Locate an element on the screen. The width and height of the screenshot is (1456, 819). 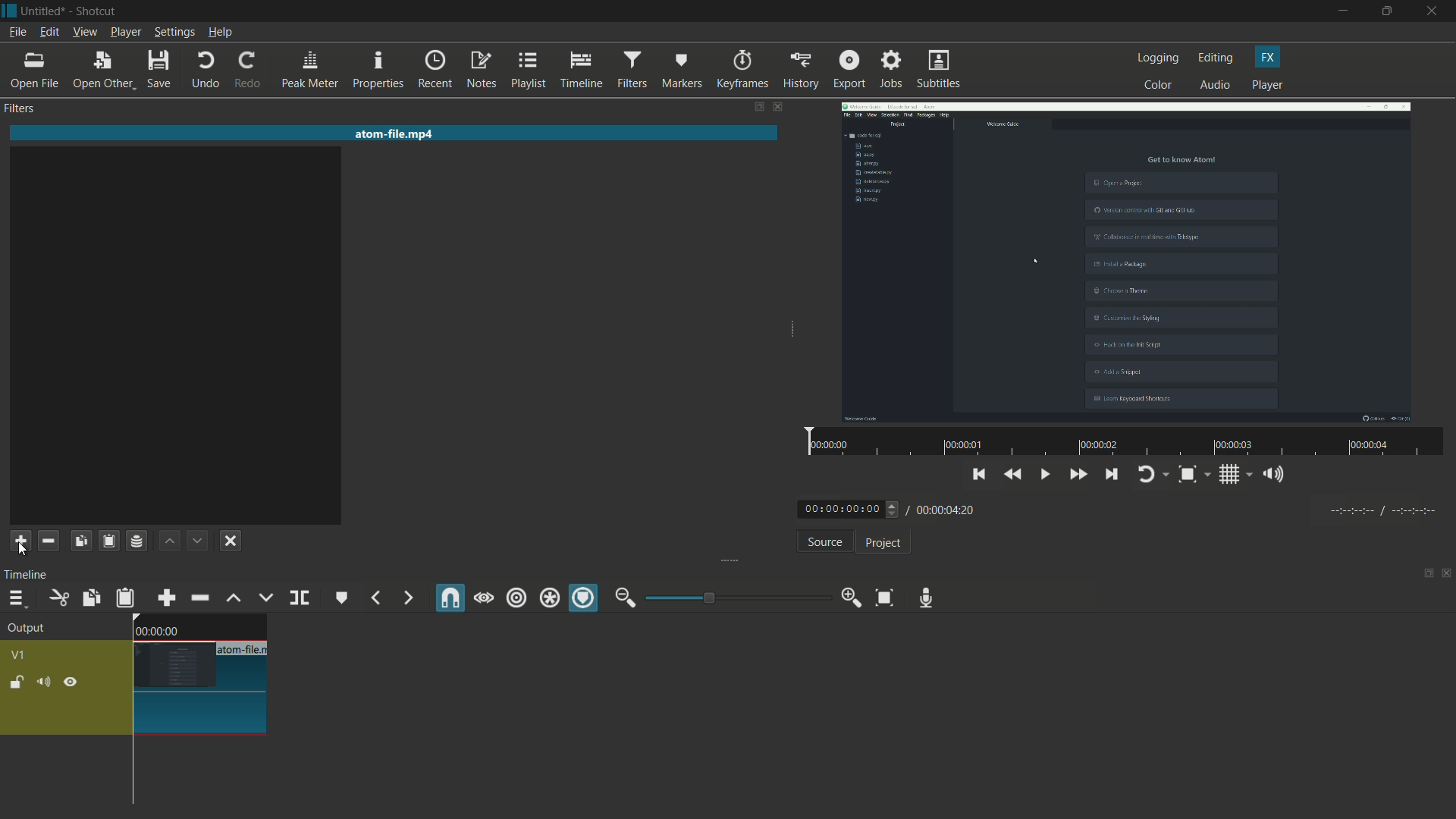
video time is located at coordinates (1122, 443).